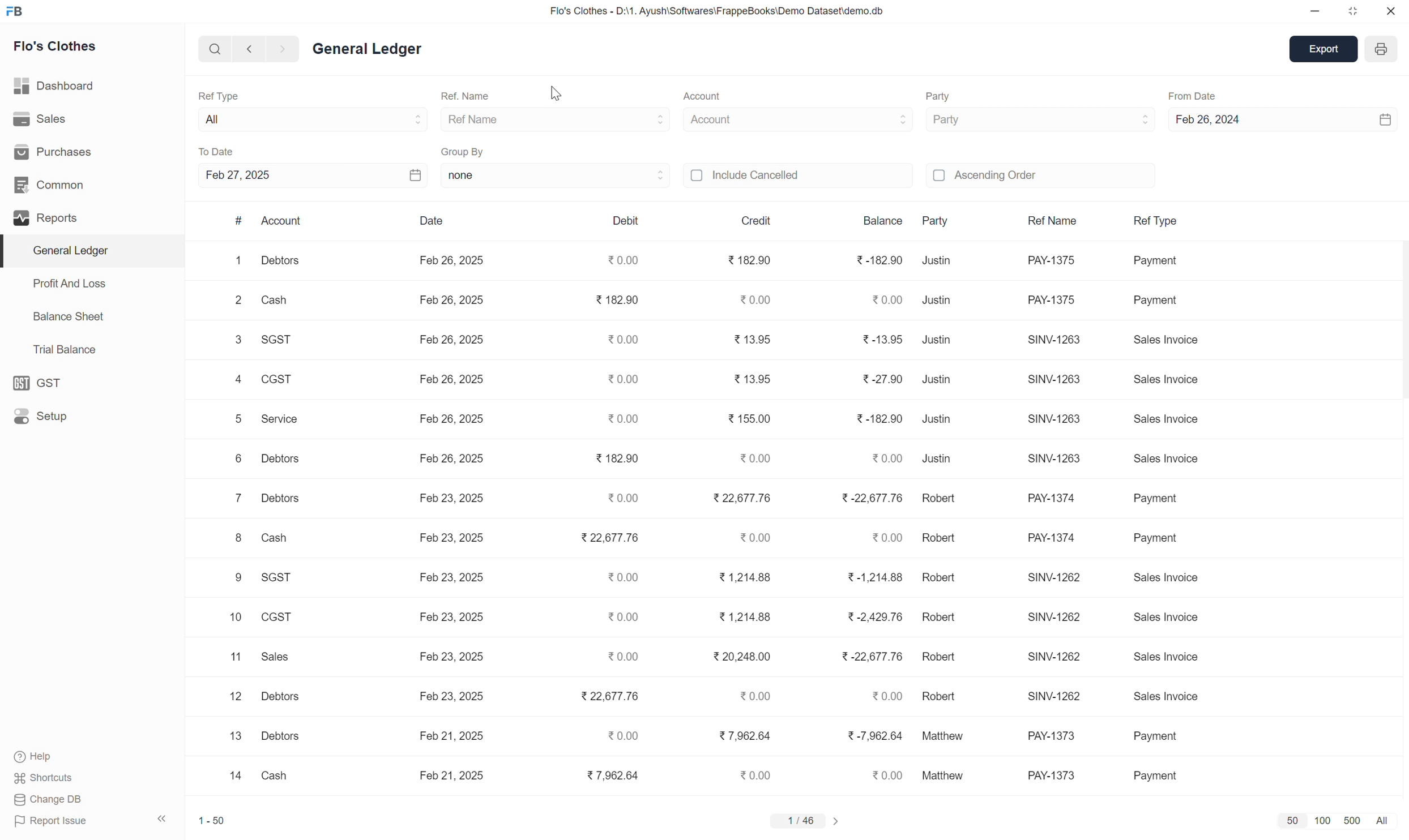  I want to click on feb 26, 2025, so click(449, 538).